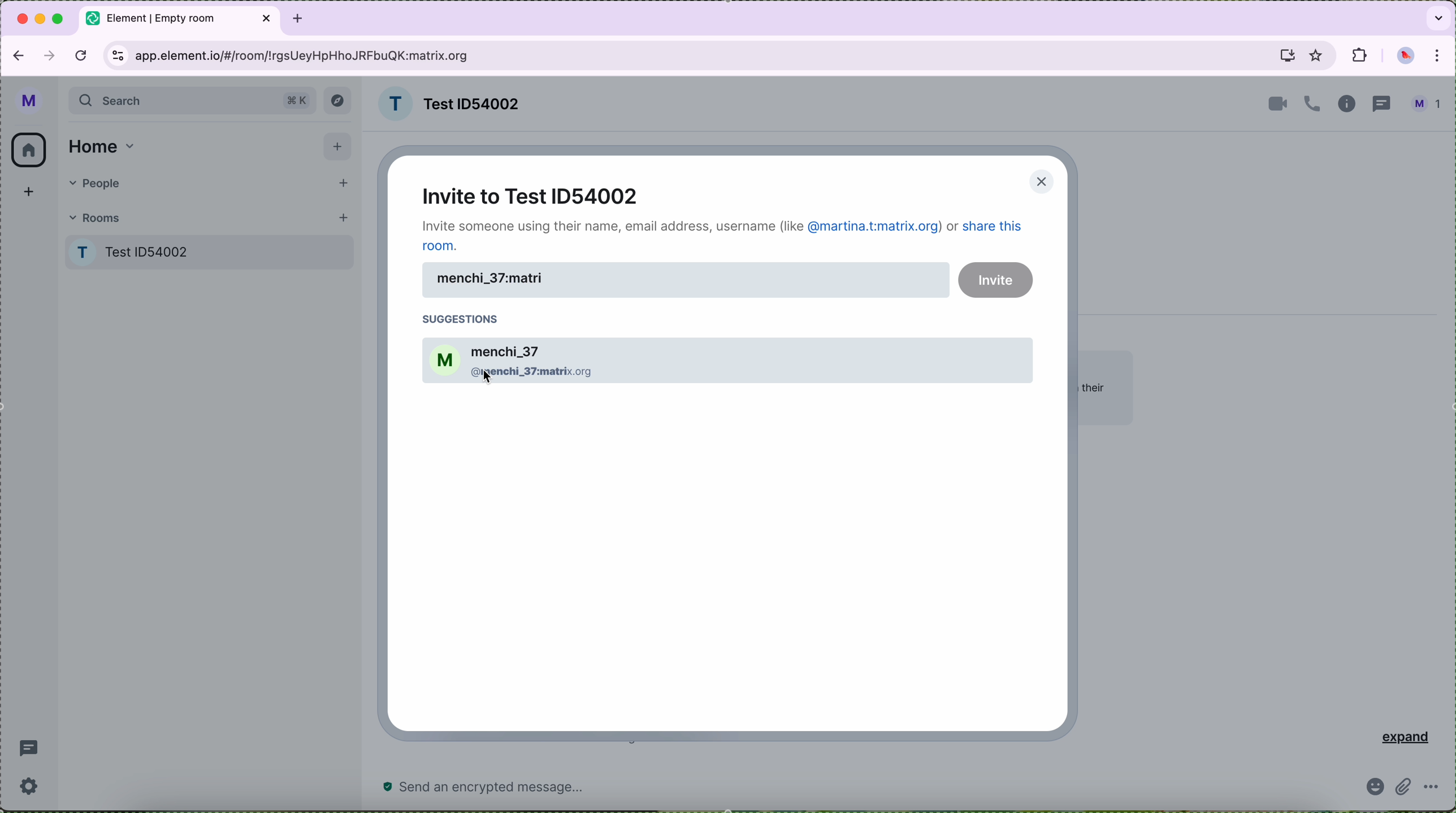 The height and width of the screenshot is (813, 1456). What do you see at coordinates (28, 193) in the screenshot?
I see `add` at bounding box center [28, 193].